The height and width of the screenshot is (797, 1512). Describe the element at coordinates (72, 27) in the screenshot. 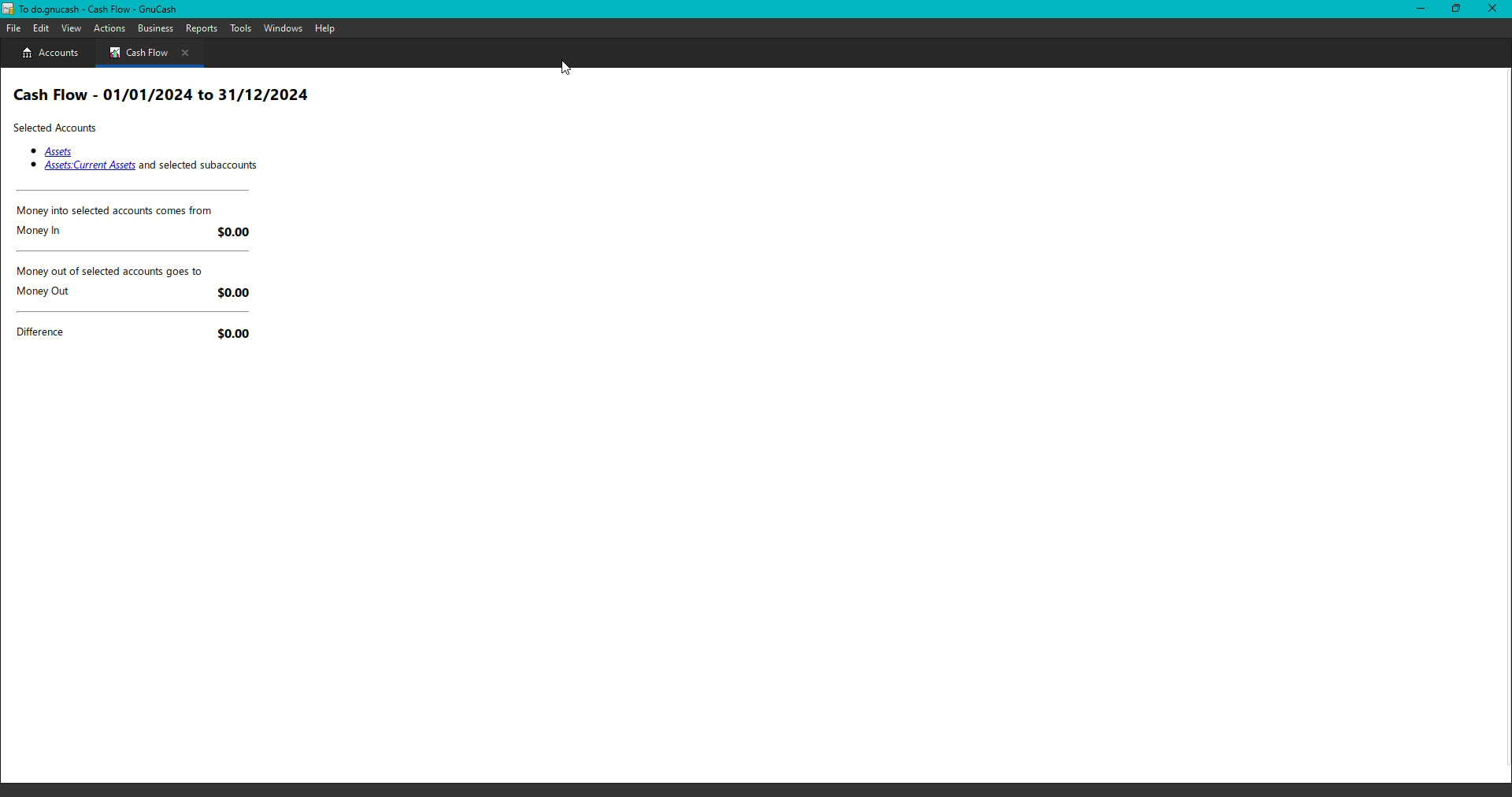

I see `View` at that location.